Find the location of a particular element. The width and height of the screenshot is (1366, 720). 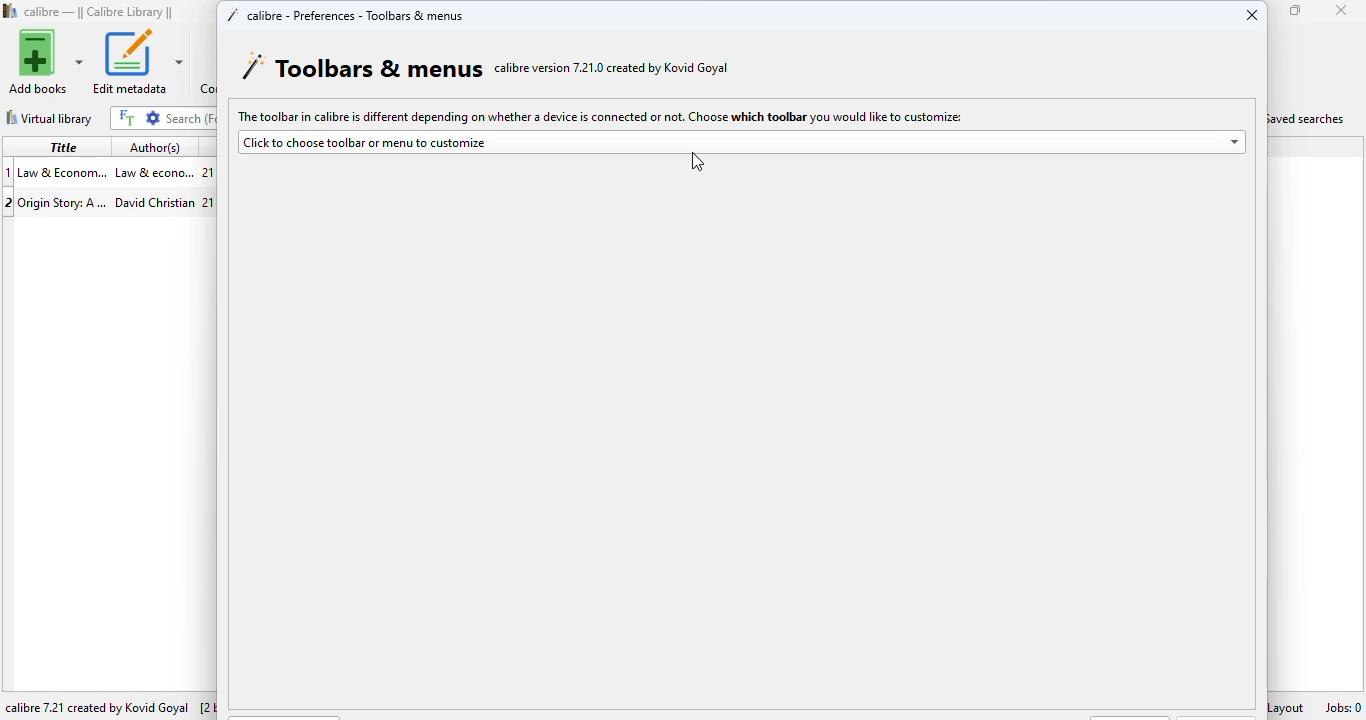

add books is located at coordinates (46, 61).